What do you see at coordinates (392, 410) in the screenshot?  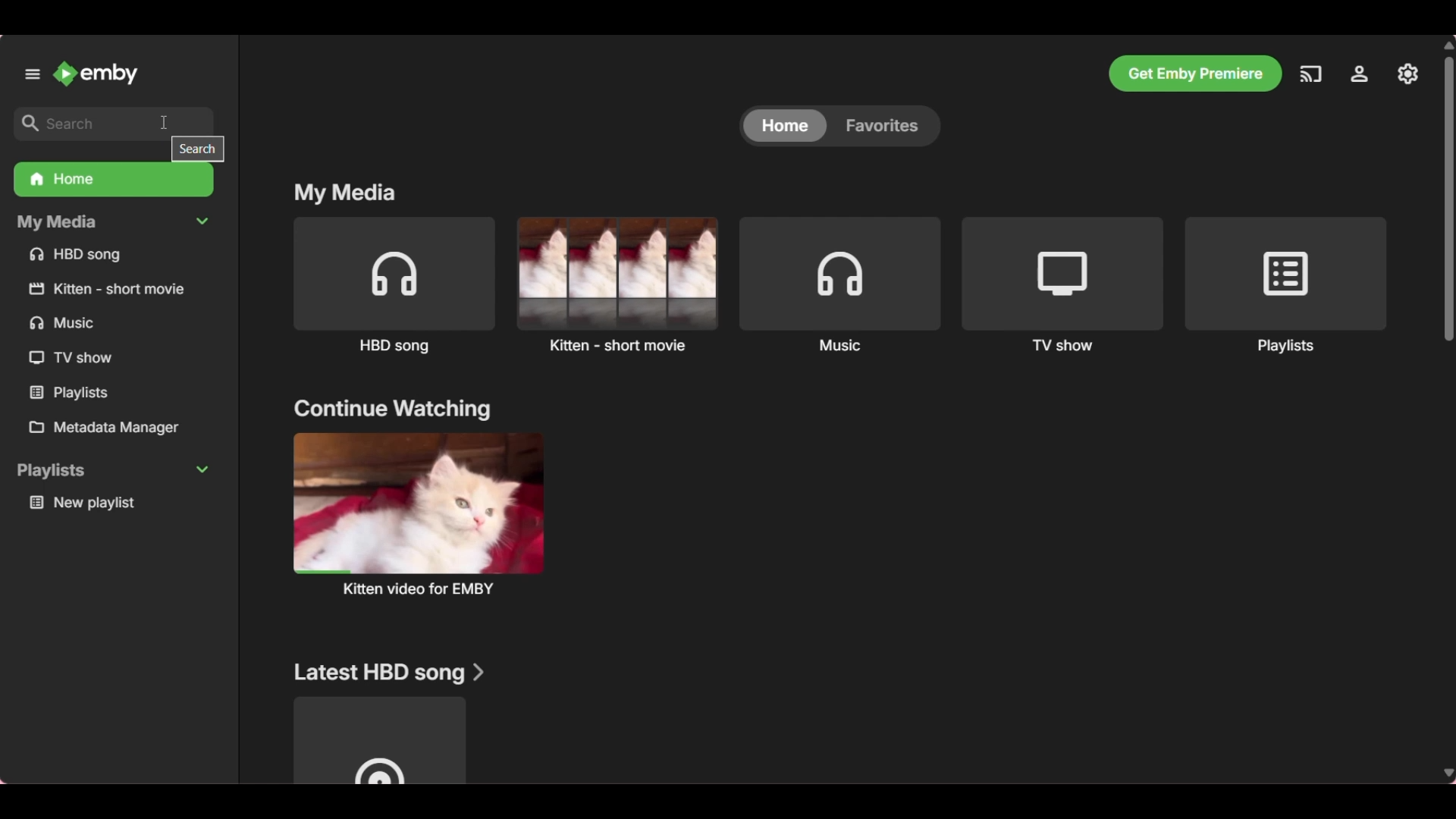 I see `continue watching` at bounding box center [392, 410].